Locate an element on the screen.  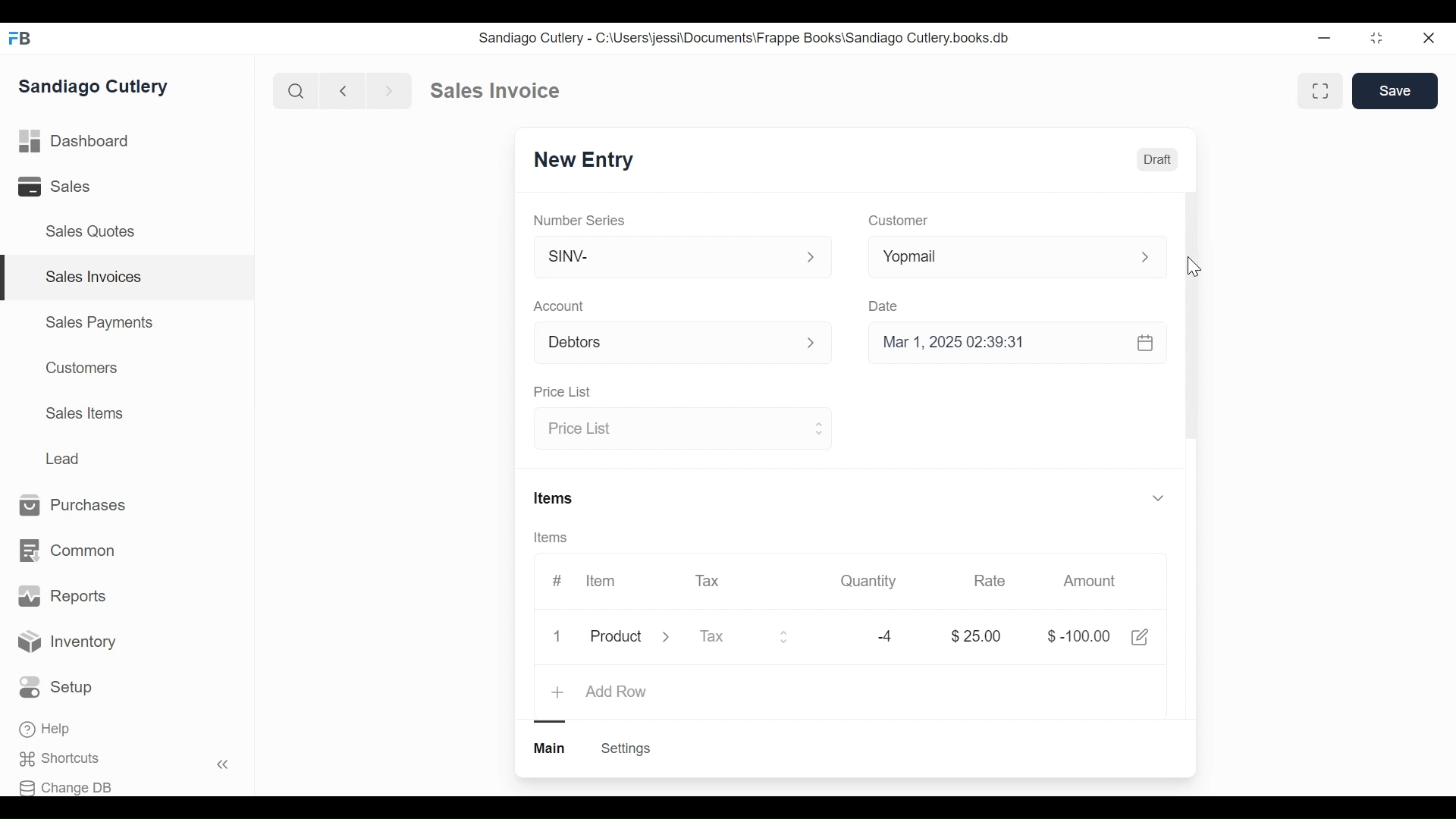
Price list is located at coordinates (686, 426).